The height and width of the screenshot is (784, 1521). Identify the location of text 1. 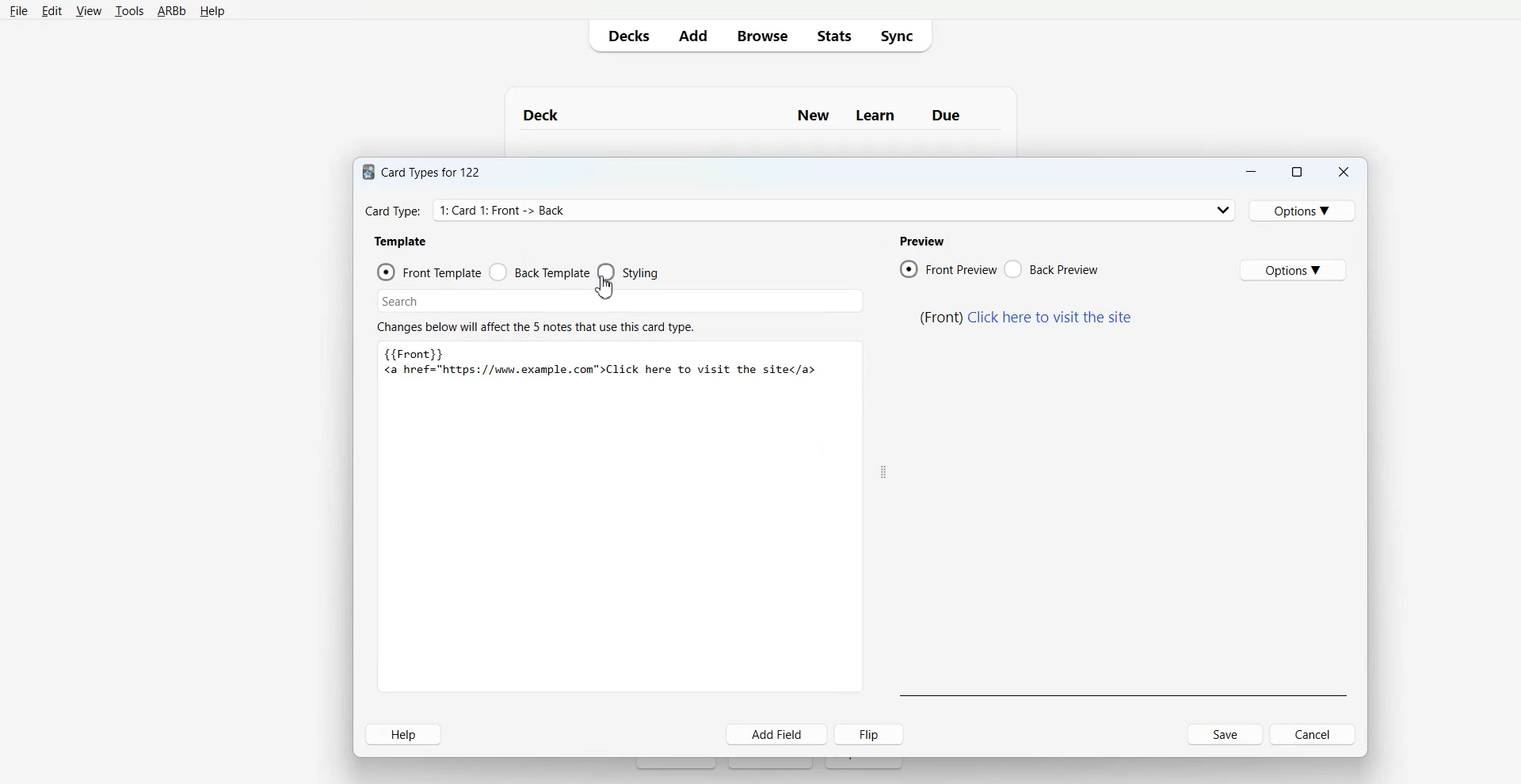
(425, 173).